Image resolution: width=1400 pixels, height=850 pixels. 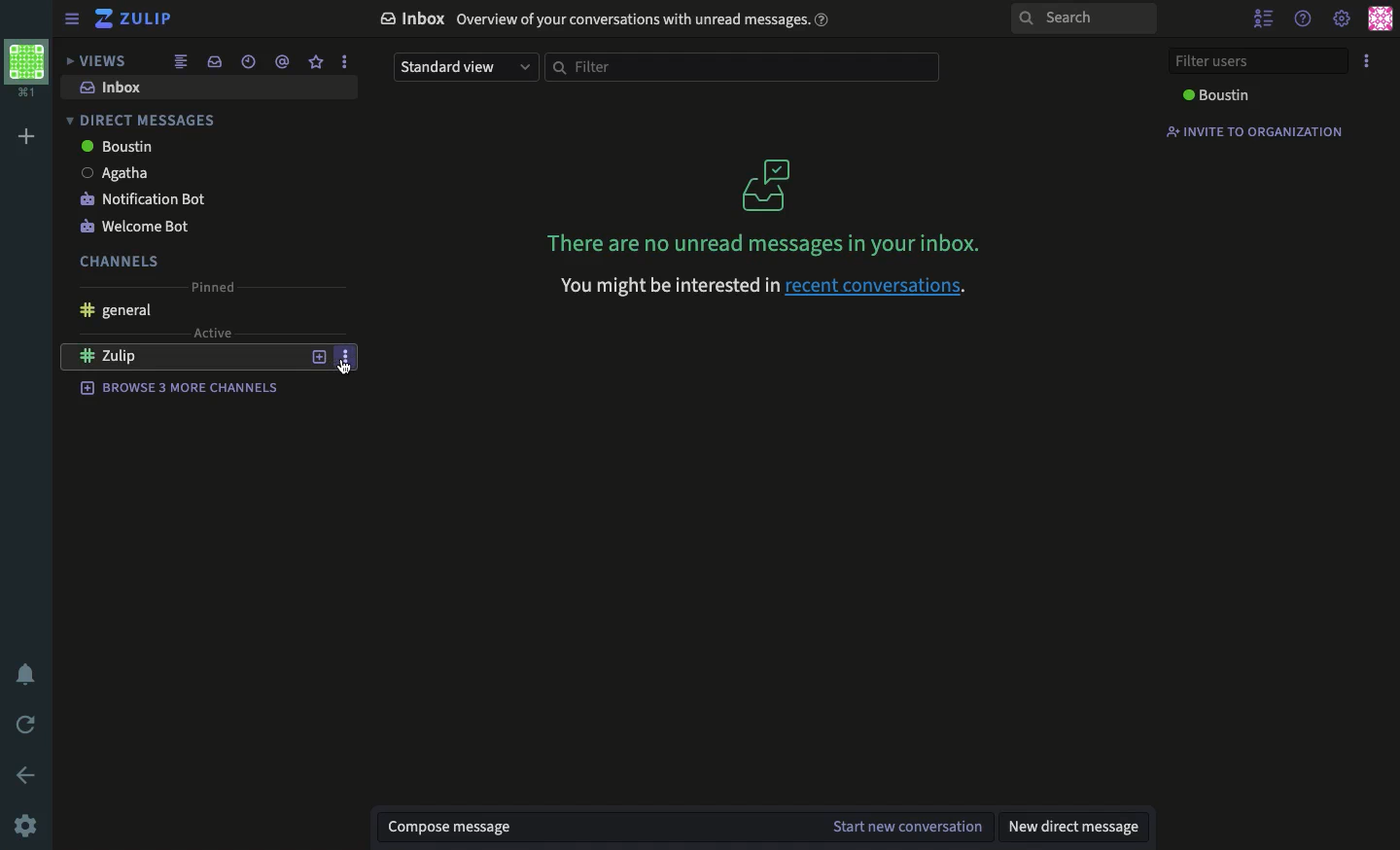 What do you see at coordinates (1253, 132) in the screenshot?
I see `invite to organization` at bounding box center [1253, 132].